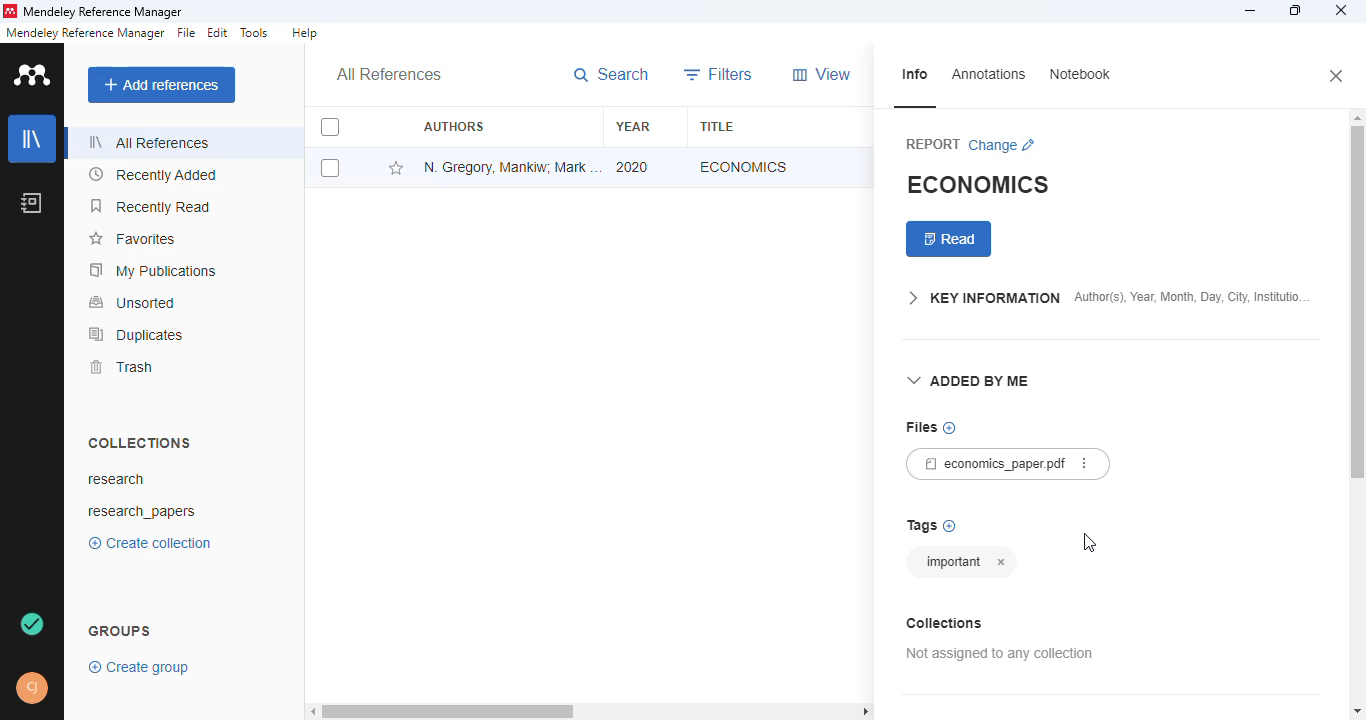  I want to click on new tag synced and saved, so click(32, 624).